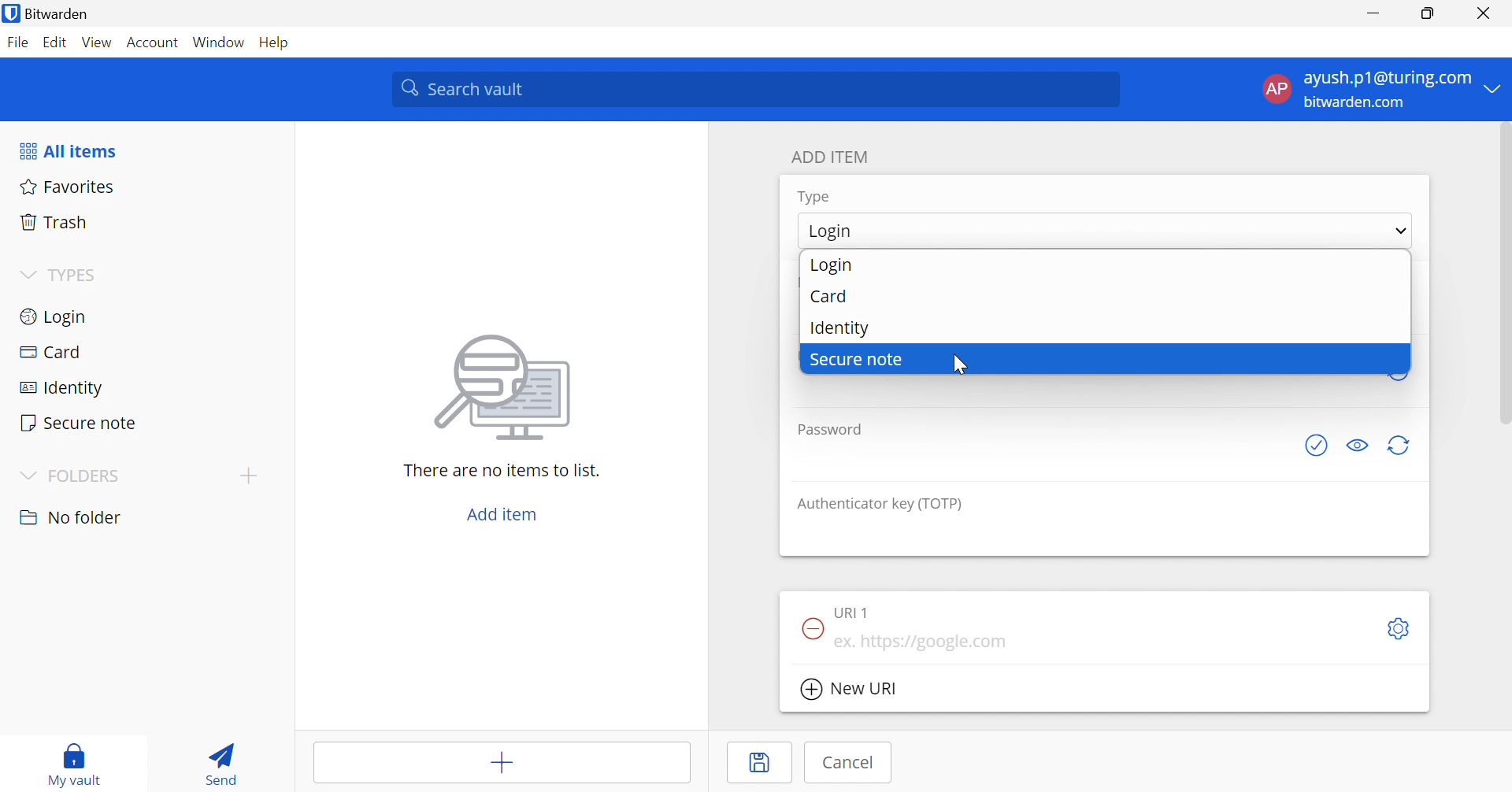 Image resolution: width=1512 pixels, height=792 pixels. I want to click on Bitwarden, so click(50, 13).